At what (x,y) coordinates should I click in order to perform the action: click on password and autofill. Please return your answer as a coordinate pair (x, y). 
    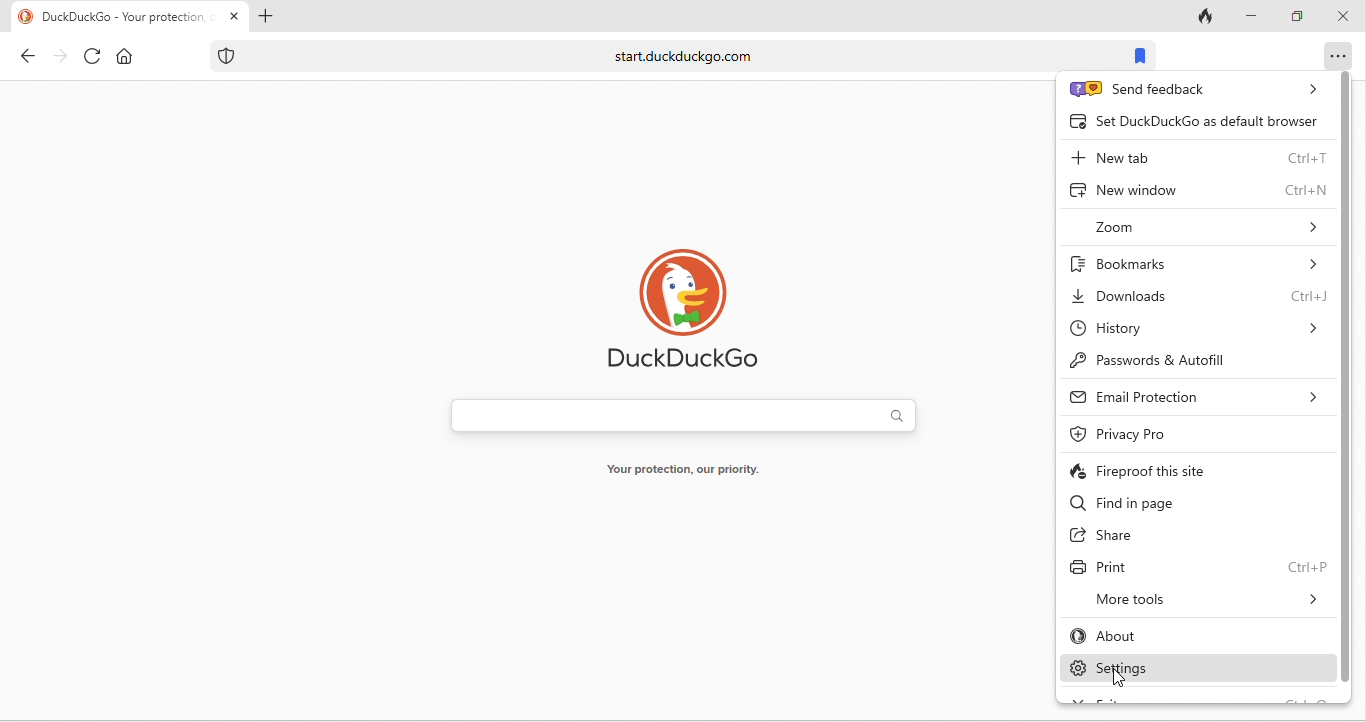
    Looking at the image, I should click on (1189, 362).